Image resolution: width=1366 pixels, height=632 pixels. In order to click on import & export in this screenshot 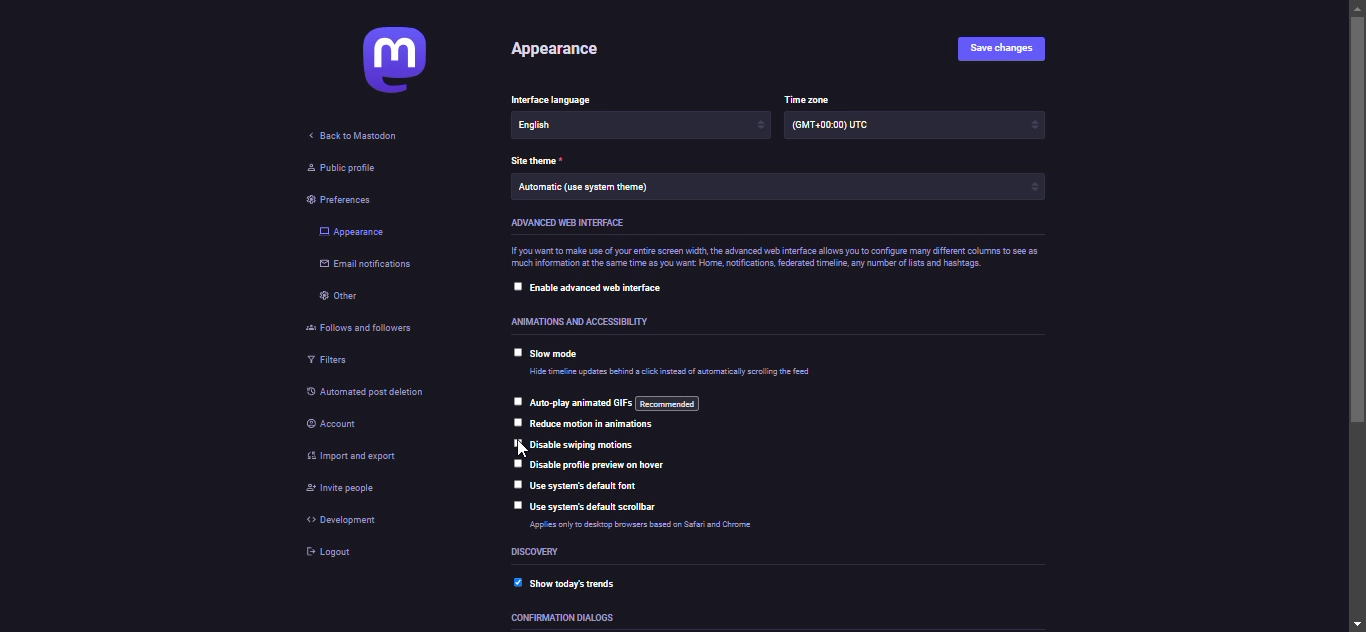, I will do `click(356, 455)`.